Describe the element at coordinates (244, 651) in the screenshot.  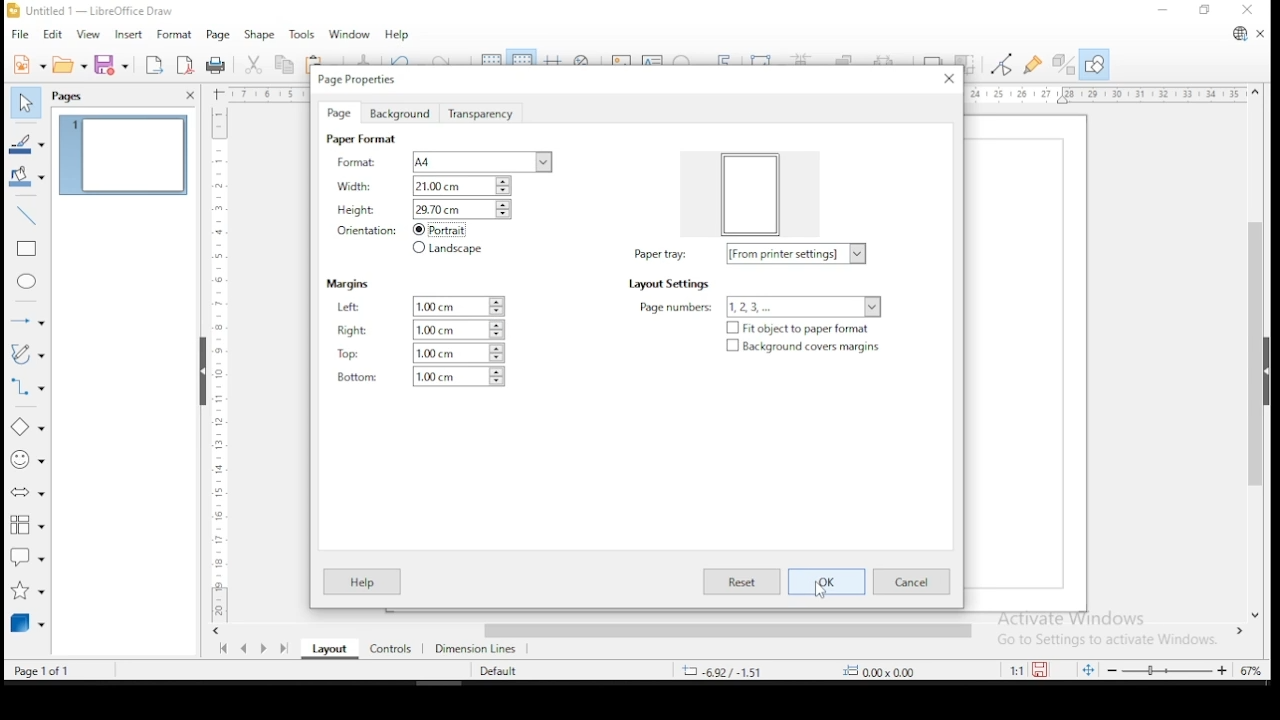
I see `previous page` at that location.